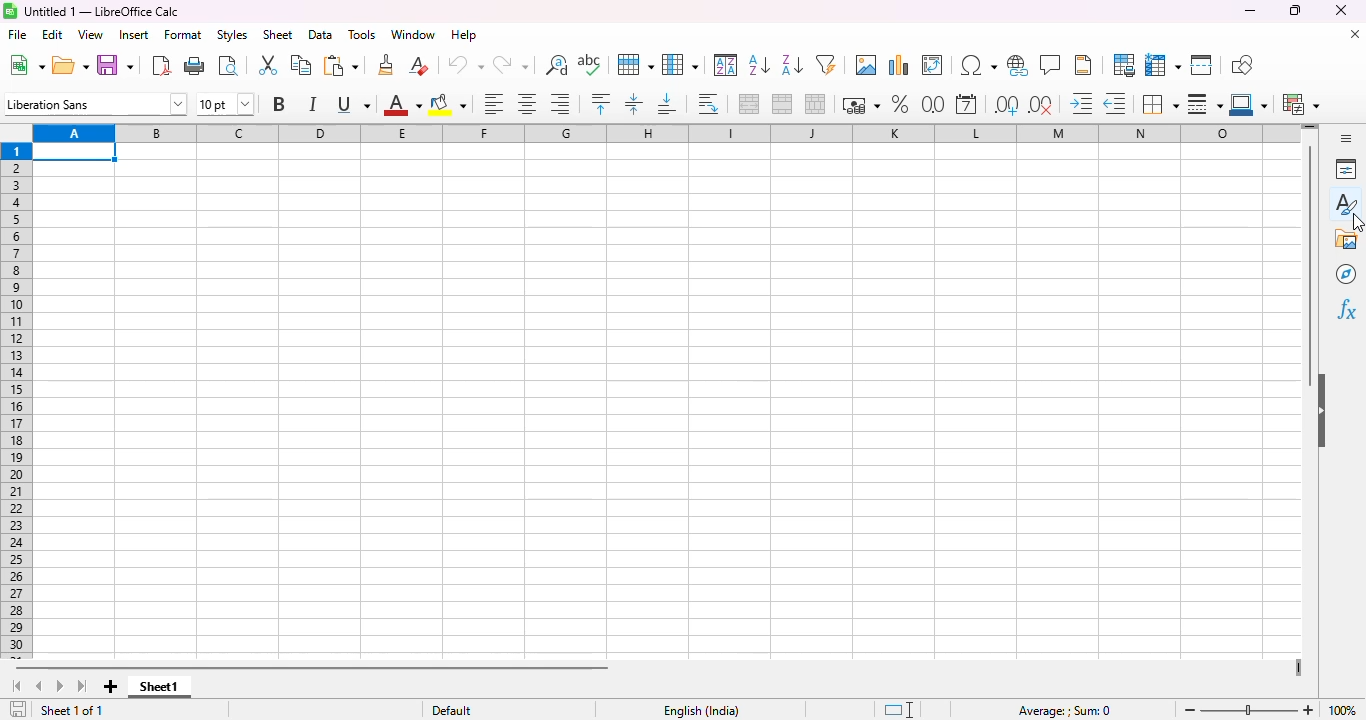 This screenshot has width=1366, height=720. I want to click on align center, so click(527, 104).